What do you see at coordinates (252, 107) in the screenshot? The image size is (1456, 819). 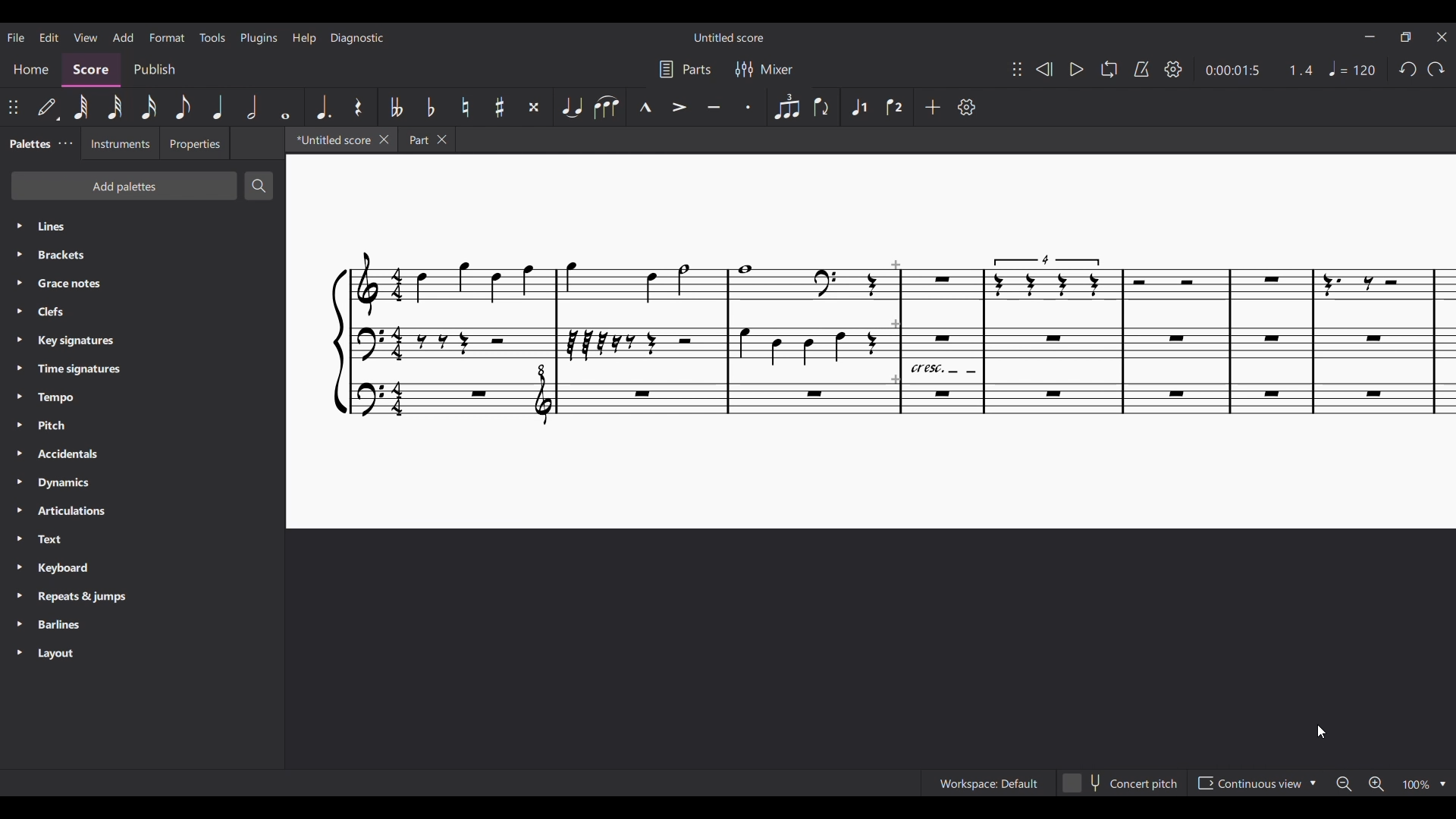 I see `Half note` at bounding box center [252, 107].